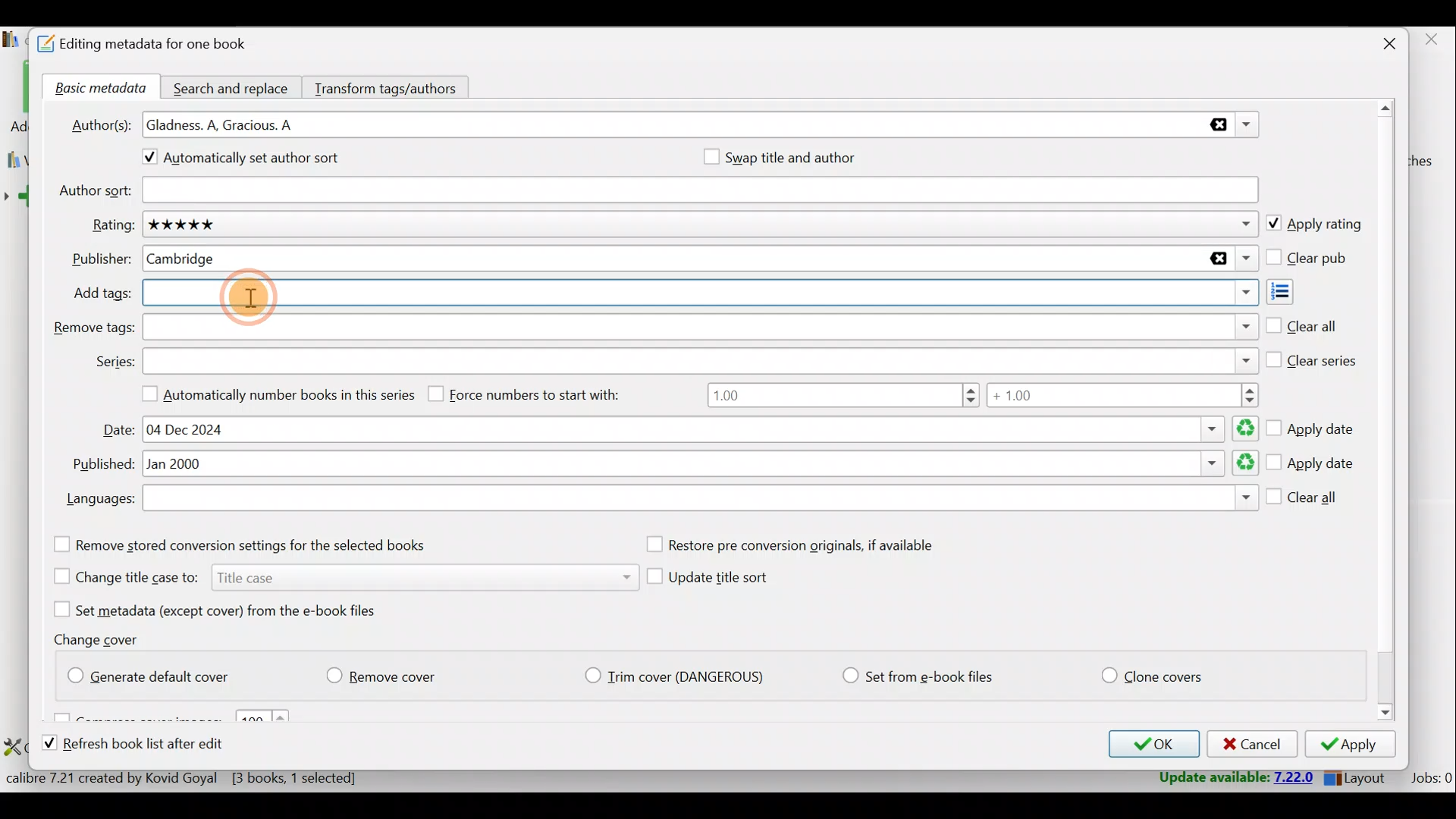 This screenshot has height=819, width=1456. I want to click on Set metadata (except cover) from the e-book files, so click(234, 609).